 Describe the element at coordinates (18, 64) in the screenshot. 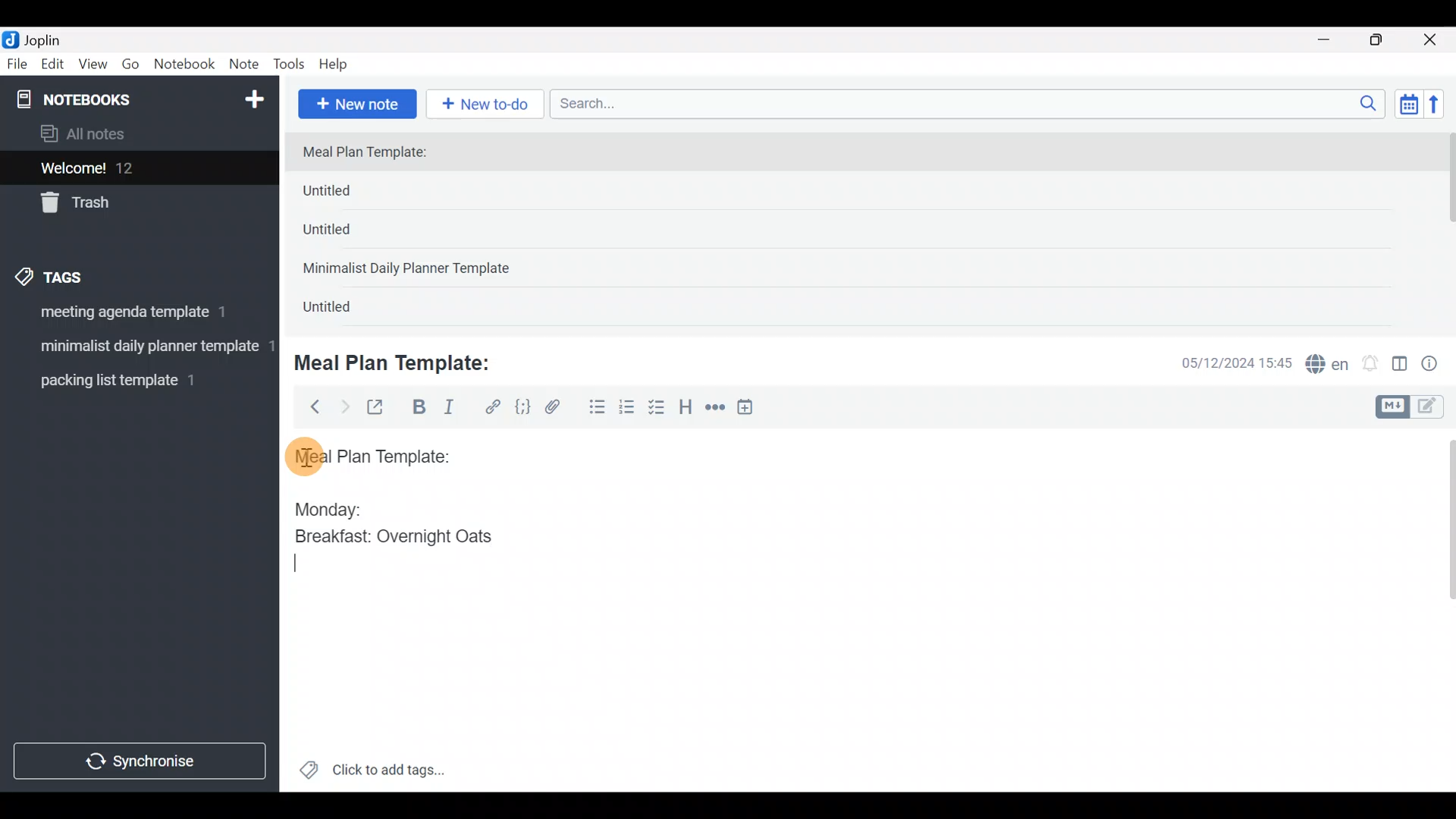

I see `File` at that location.